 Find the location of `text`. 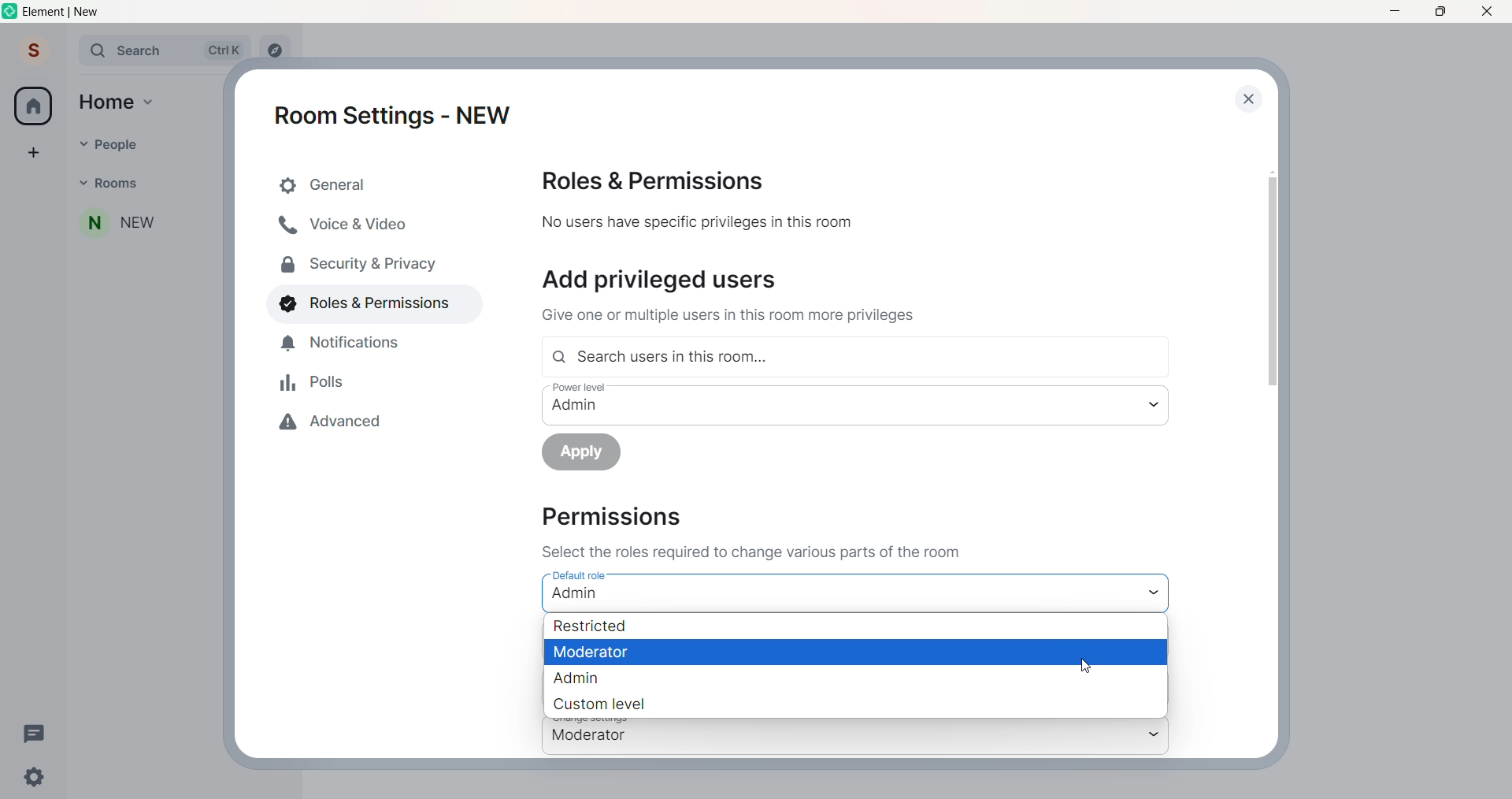

text is located at coordinates (731, 317).